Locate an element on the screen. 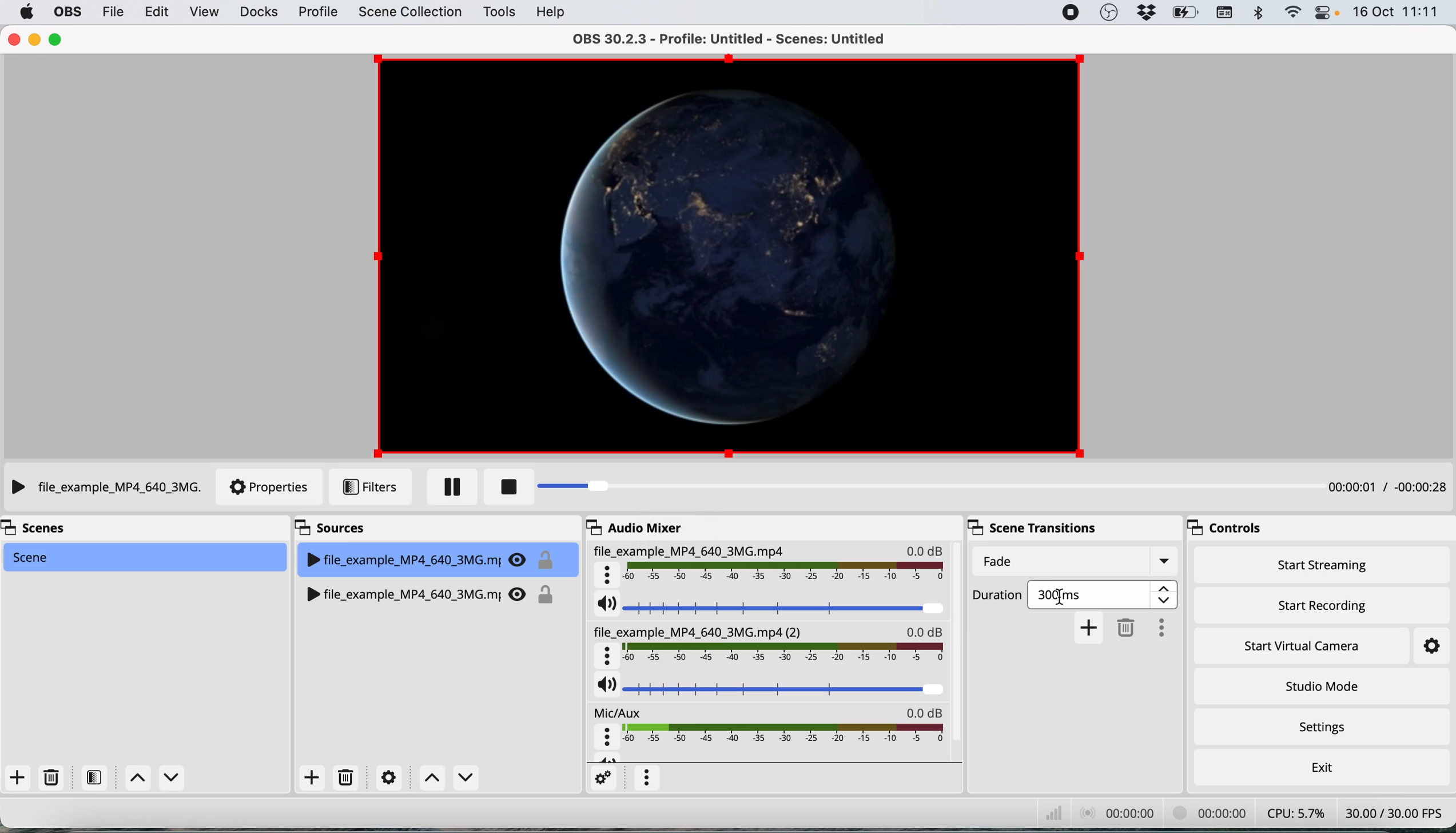  source audio is located at coordinates (766, 650).